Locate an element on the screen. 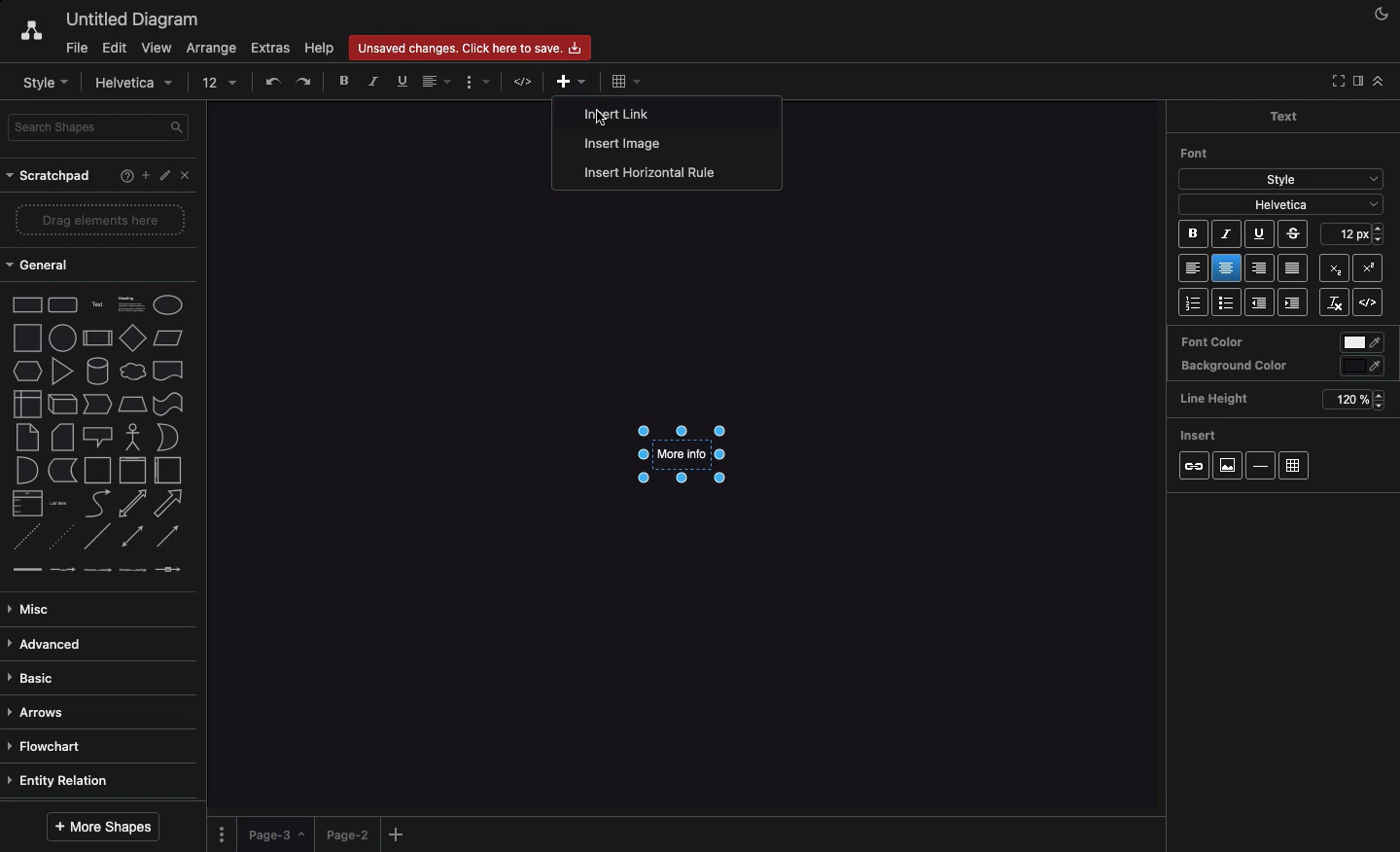 Image resolution: width=1400 pixels, height=852 pixels. trapezoid is located at coordinates (132, 405).